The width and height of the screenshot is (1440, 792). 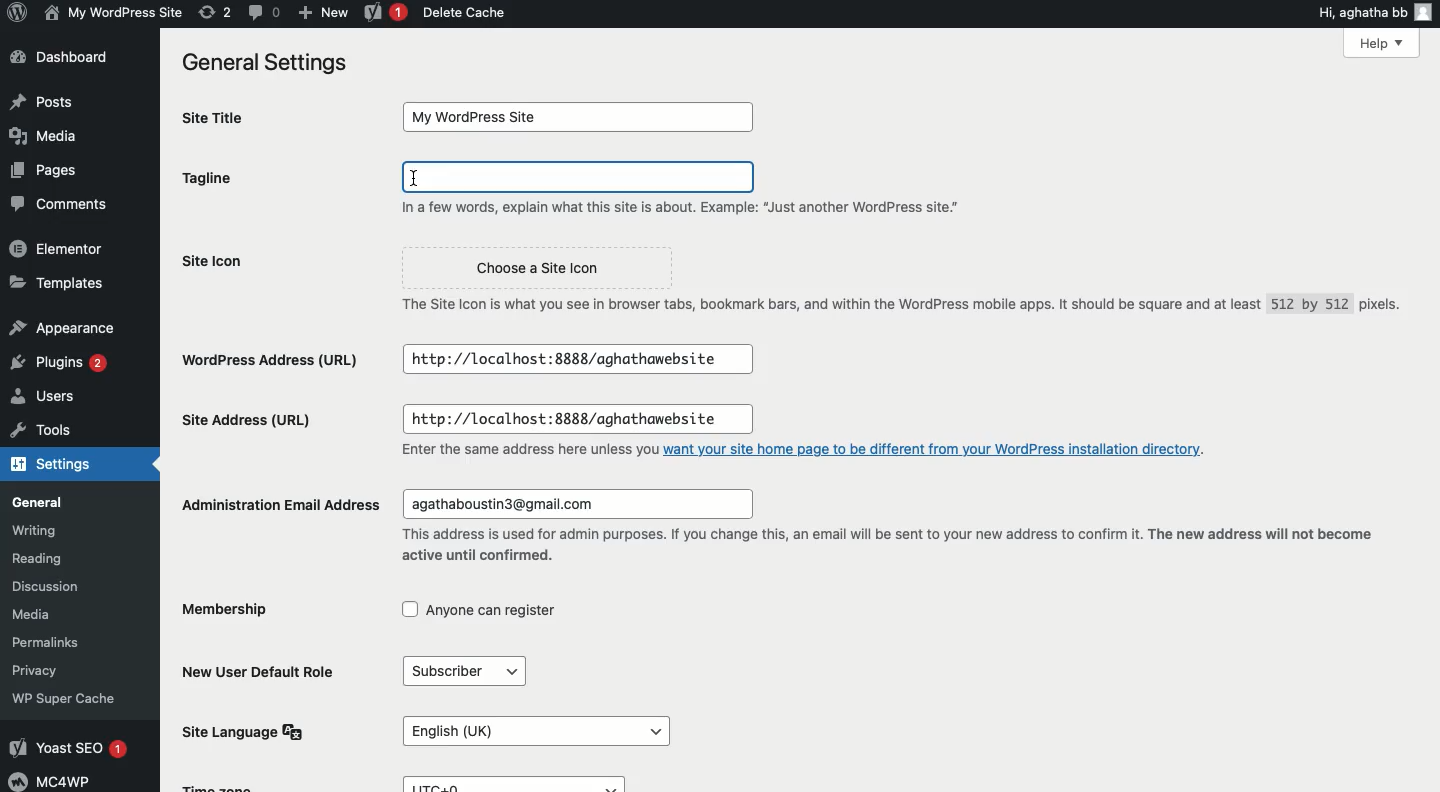 What do you see at coordinates (274, 359) in the screenshot?
I see `WordPress Address (URL)` at bounding box center [274, 359].